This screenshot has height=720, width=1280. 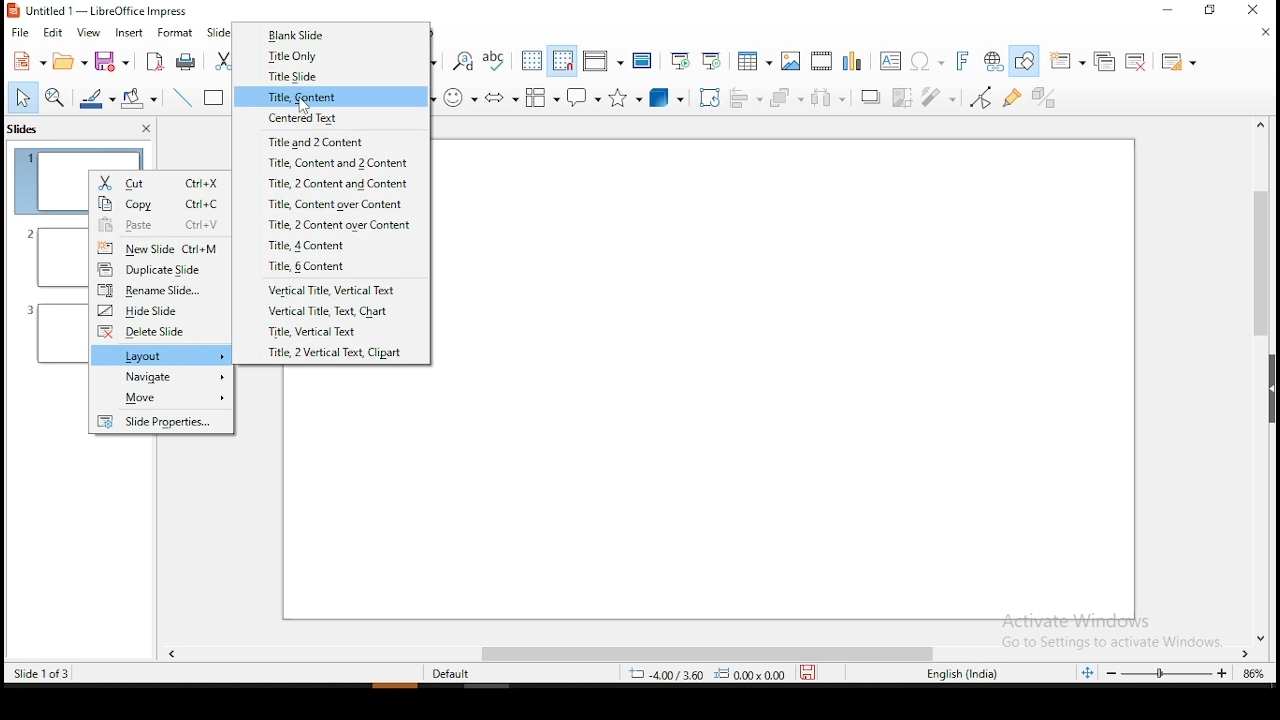 I want to click on paint bucket tool, so click(x=140, y=97).